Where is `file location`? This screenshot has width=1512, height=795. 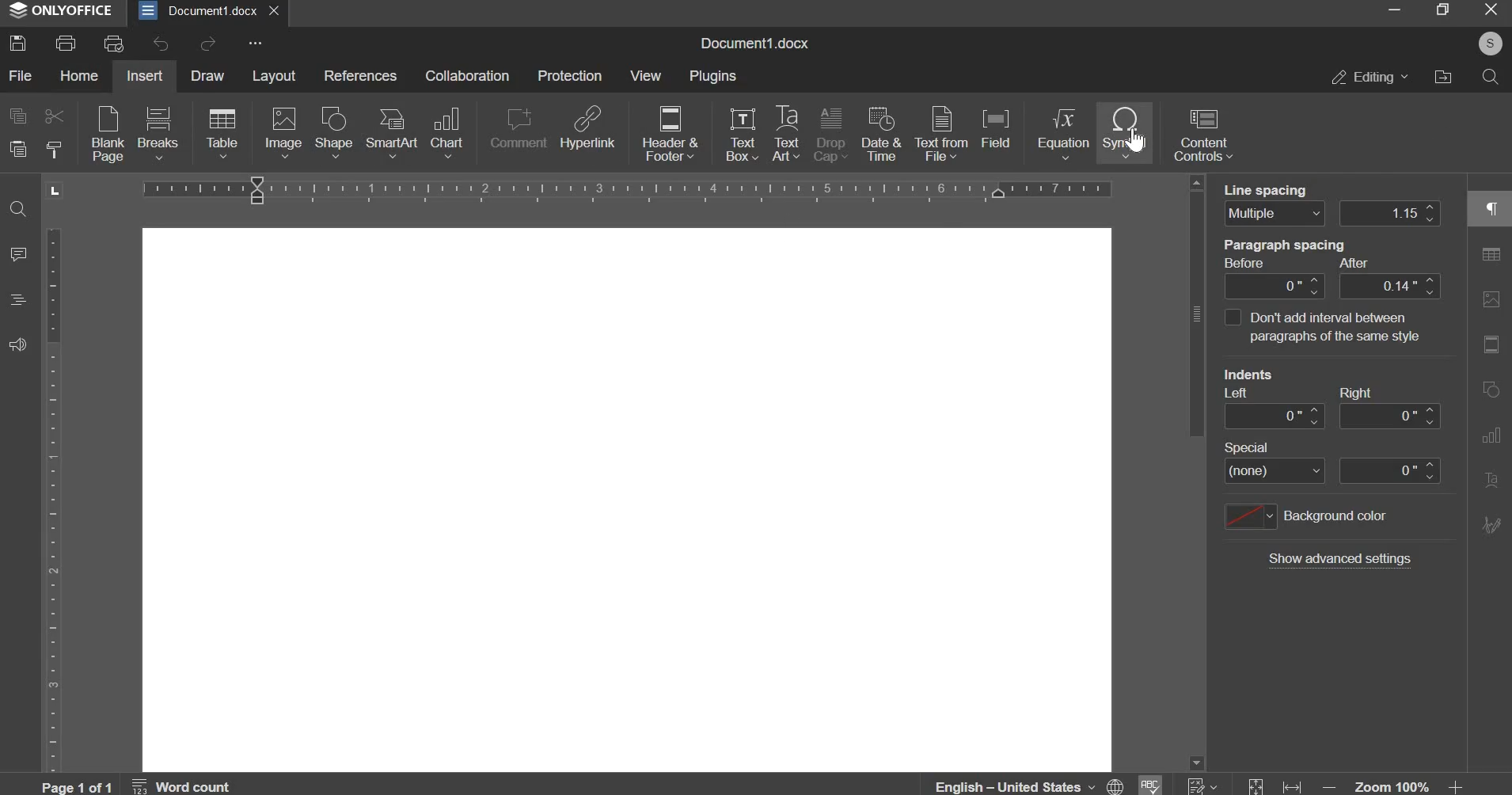
file location is located at coordinates (1442, 77).